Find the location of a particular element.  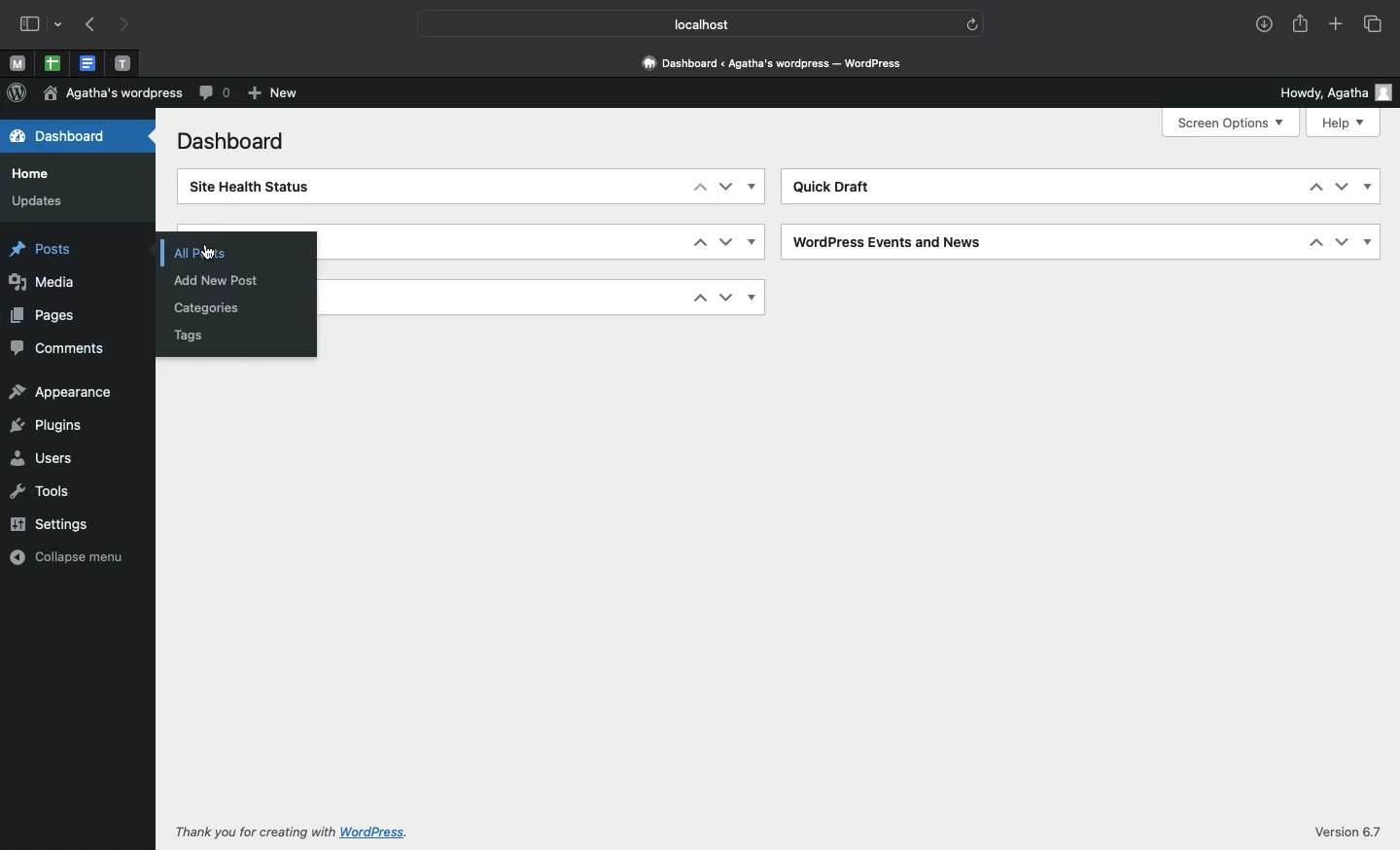

Plugins is located at coordinates (45, 426).